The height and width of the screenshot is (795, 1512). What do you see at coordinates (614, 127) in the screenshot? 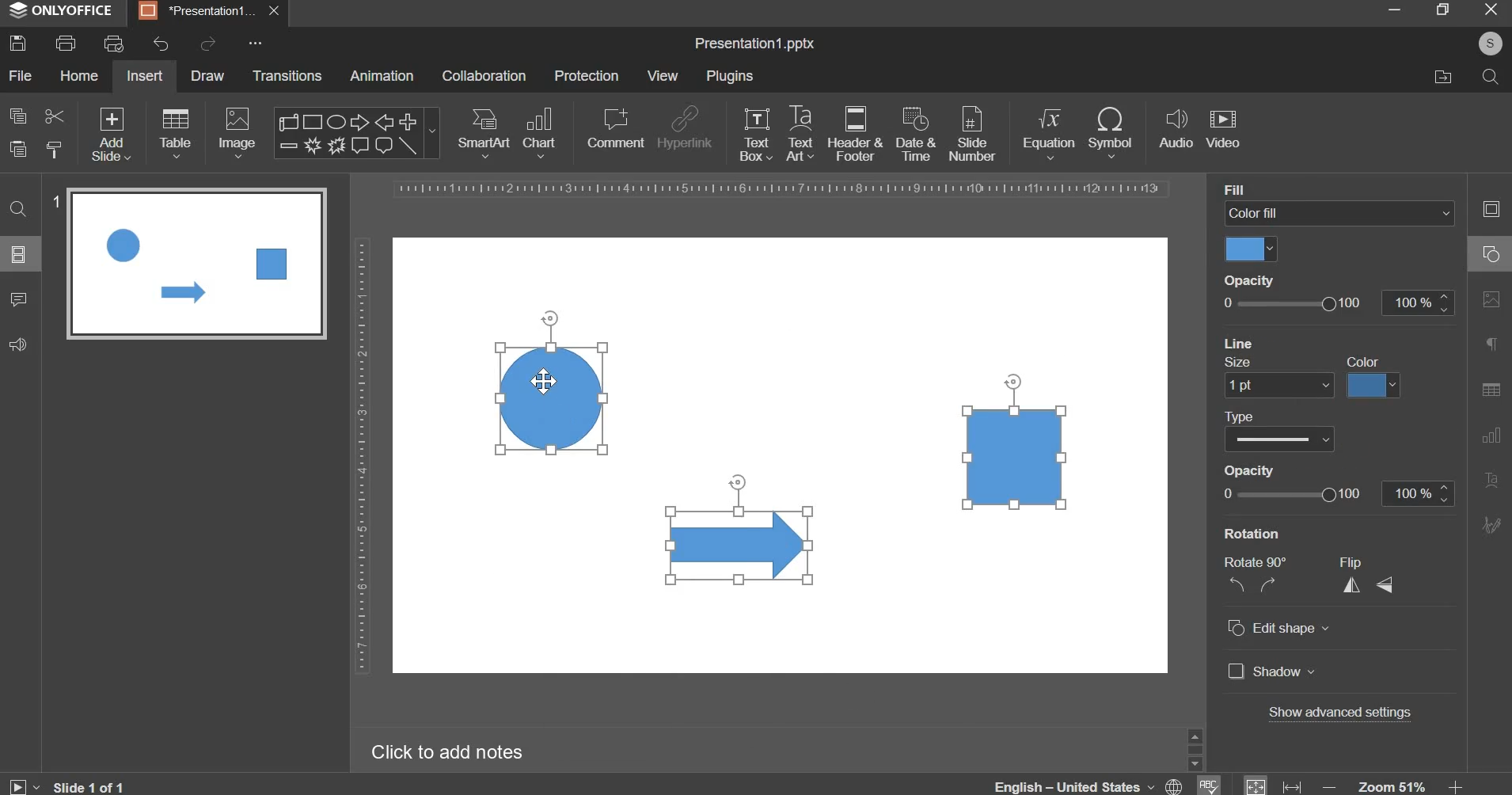
I see `comment` at bounding box center [614, 127].